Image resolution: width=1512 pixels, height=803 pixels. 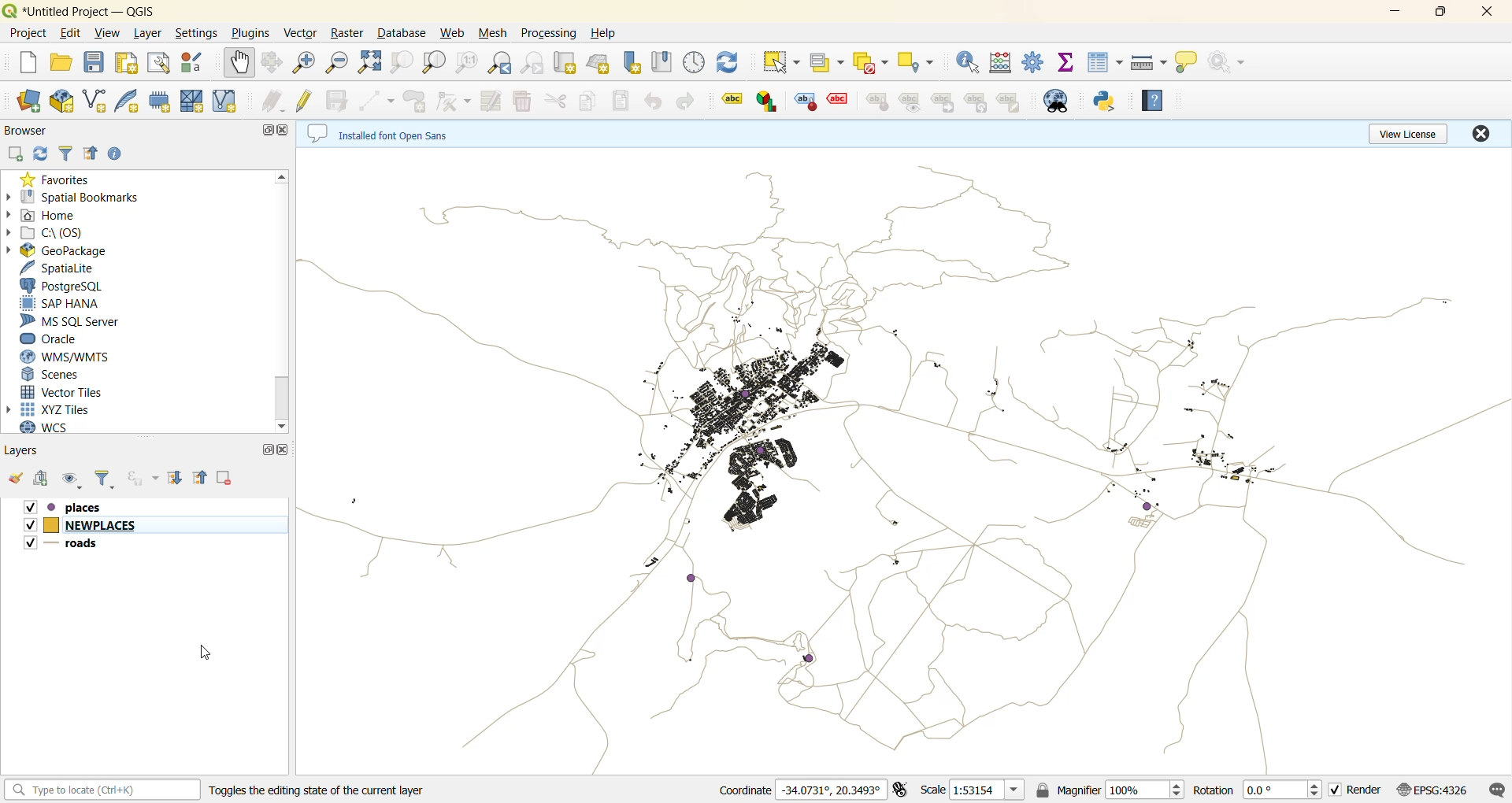 I want to click on toggle extents, so click(x=901, y=790).